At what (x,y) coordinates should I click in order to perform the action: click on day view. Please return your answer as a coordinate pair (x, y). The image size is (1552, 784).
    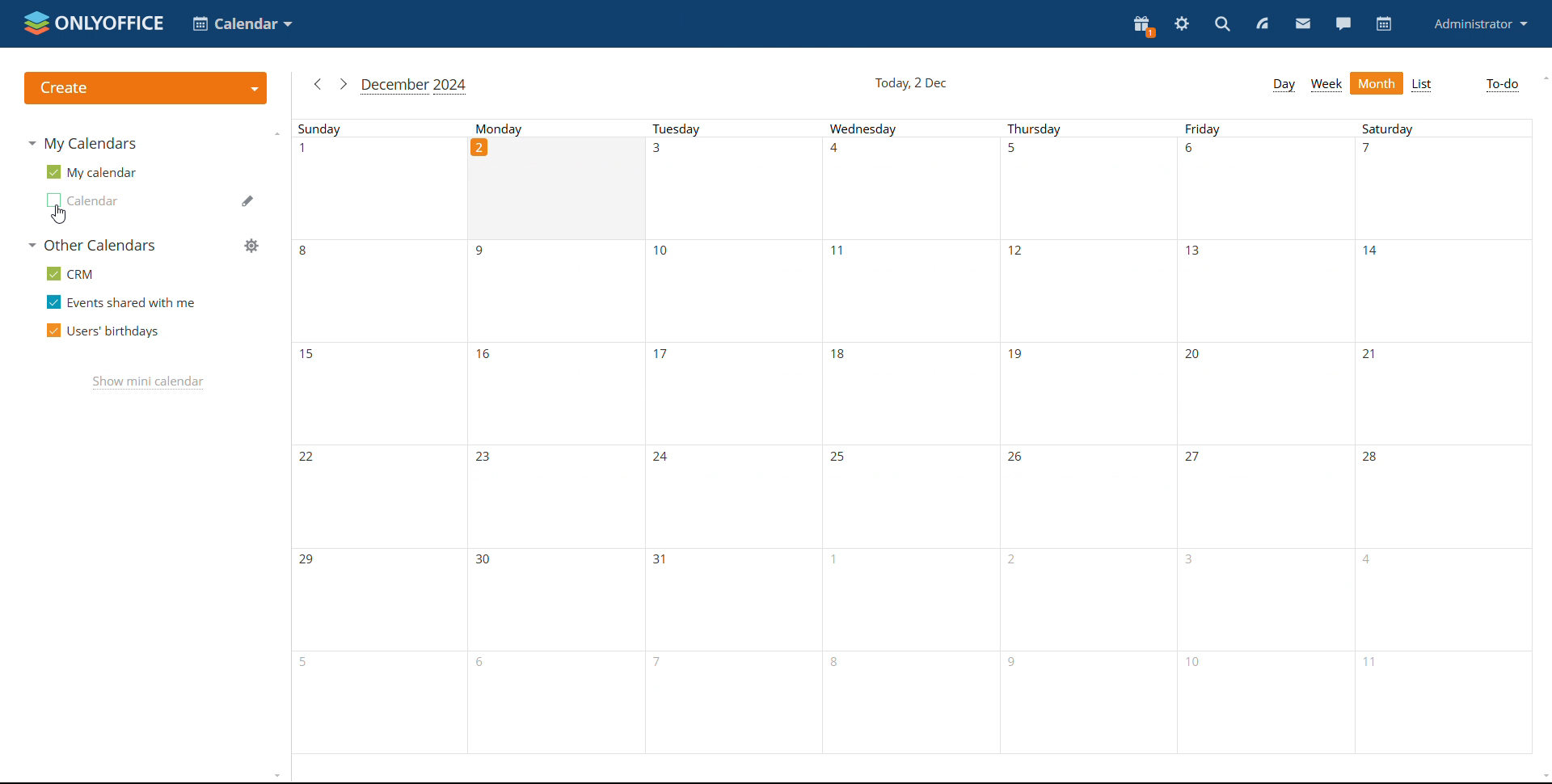
    Looking at the image, I should click on (1284, 85).